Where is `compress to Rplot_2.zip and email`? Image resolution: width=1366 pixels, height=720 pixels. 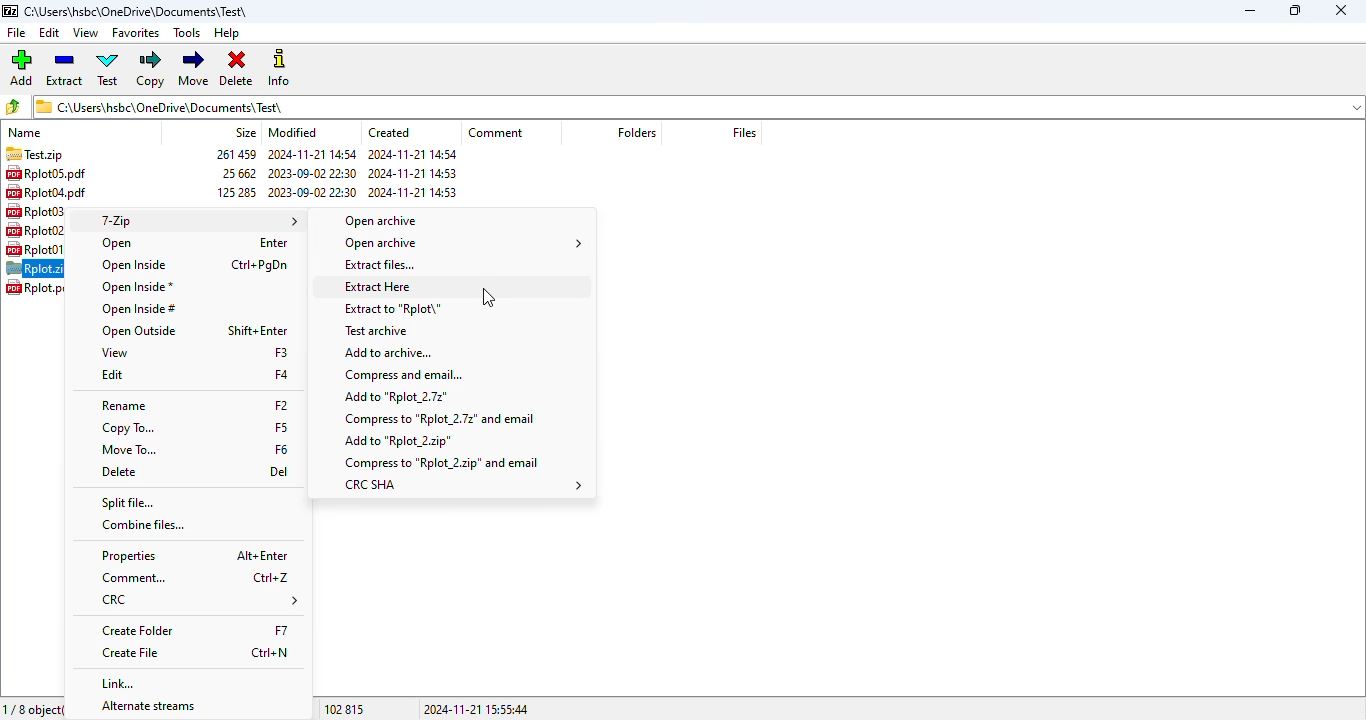
compress to Rplot_2.zip and email is located at coordinates (441, 462).